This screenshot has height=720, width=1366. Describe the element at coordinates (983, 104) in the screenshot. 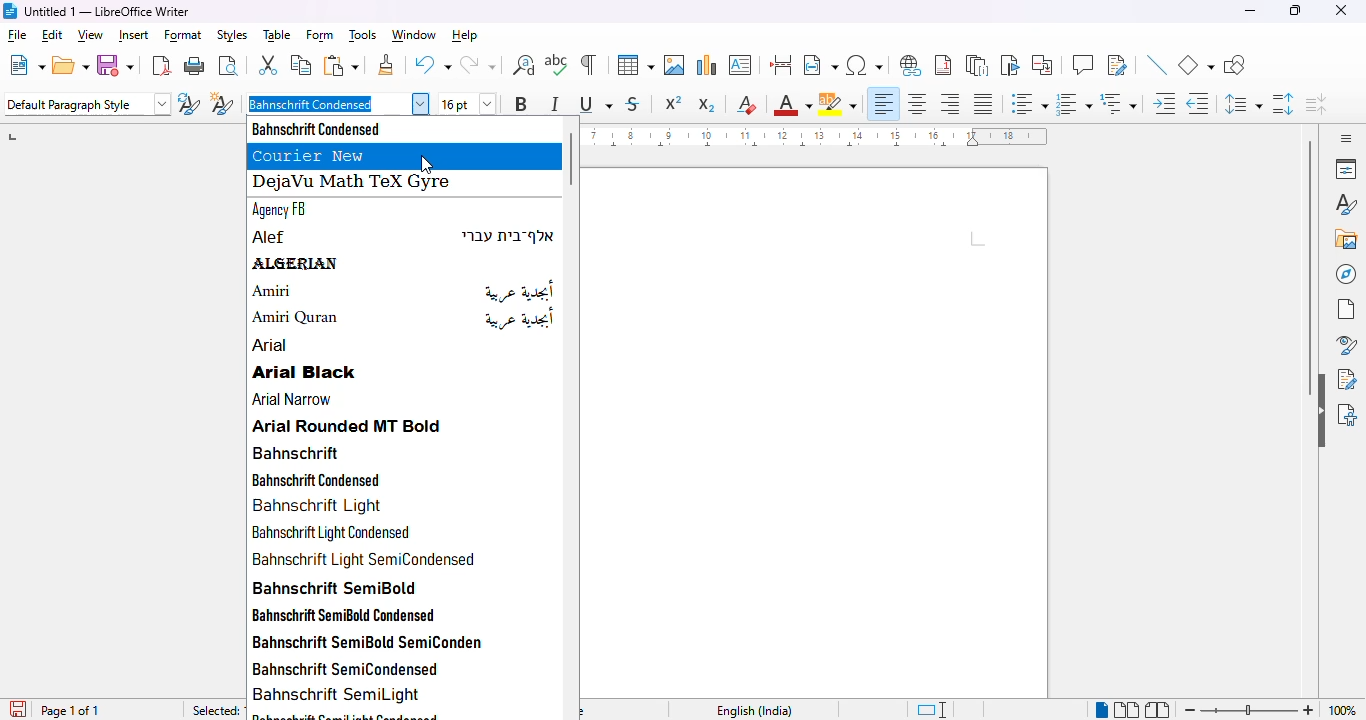

I see `justified` at that location.